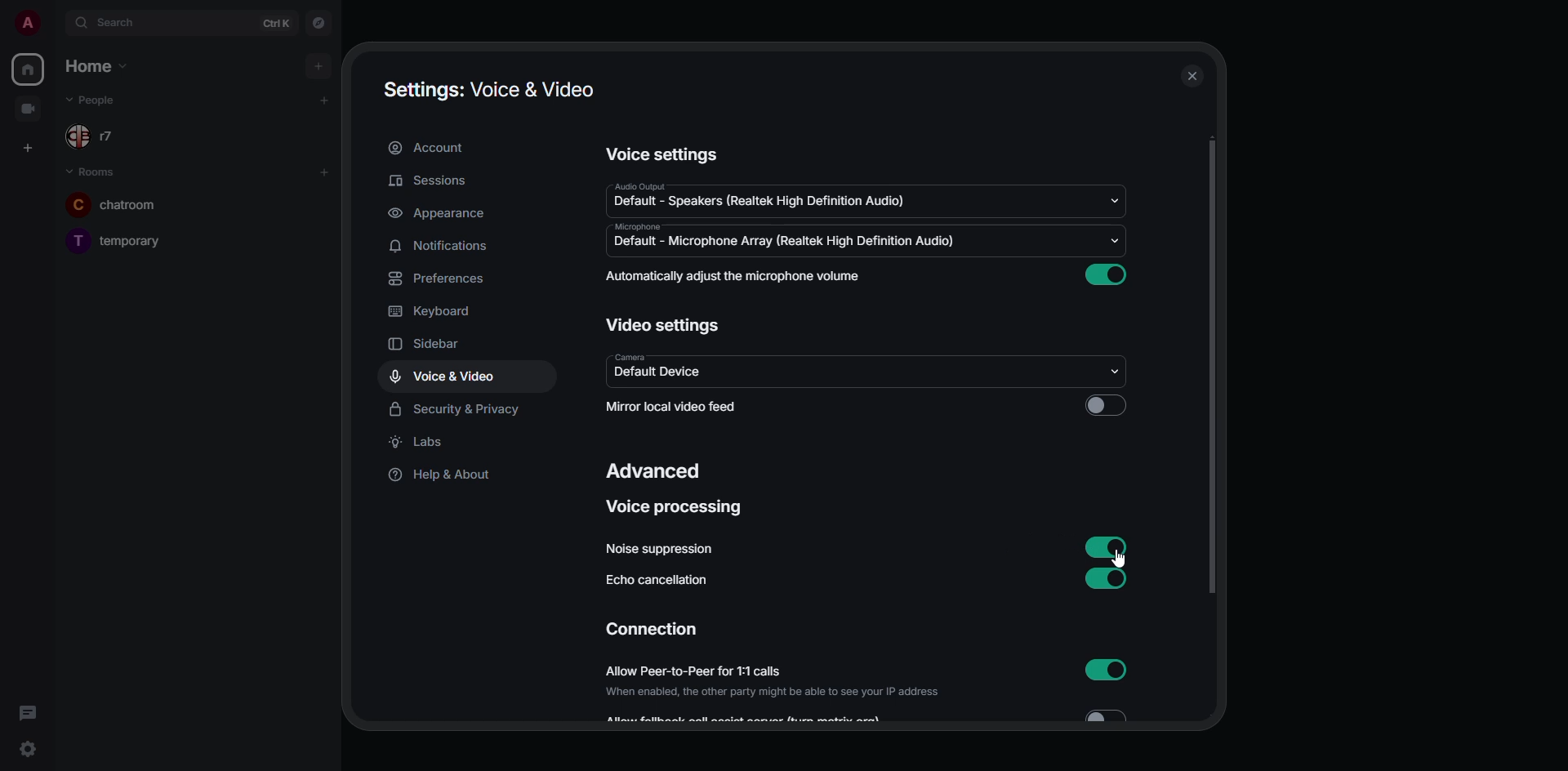  What do you see at coordinates (323, 100) in the screenshot?
I see `add` at bounding box center [323, 100].